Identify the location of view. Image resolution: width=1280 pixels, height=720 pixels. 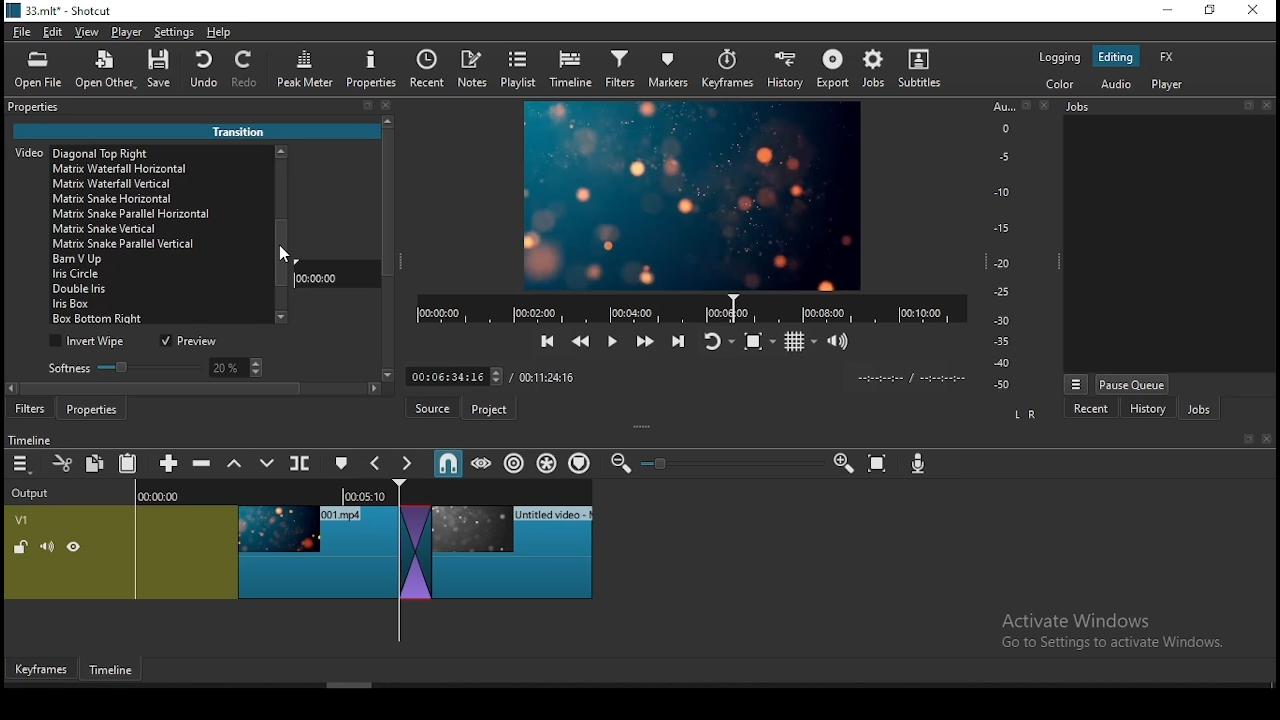
(90, 34).